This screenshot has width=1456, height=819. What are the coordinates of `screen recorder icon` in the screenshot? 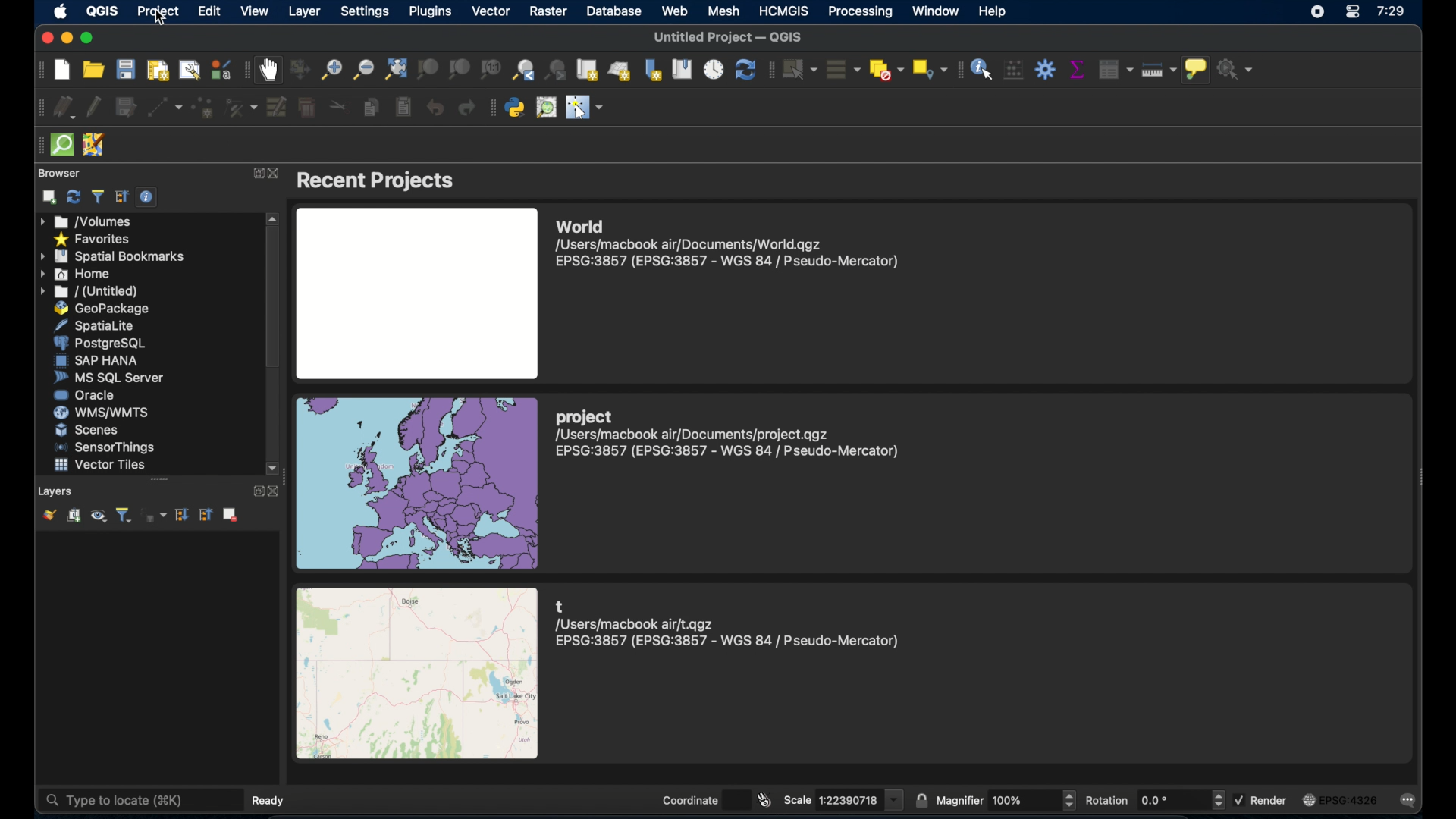 It's located at (1317, 11).